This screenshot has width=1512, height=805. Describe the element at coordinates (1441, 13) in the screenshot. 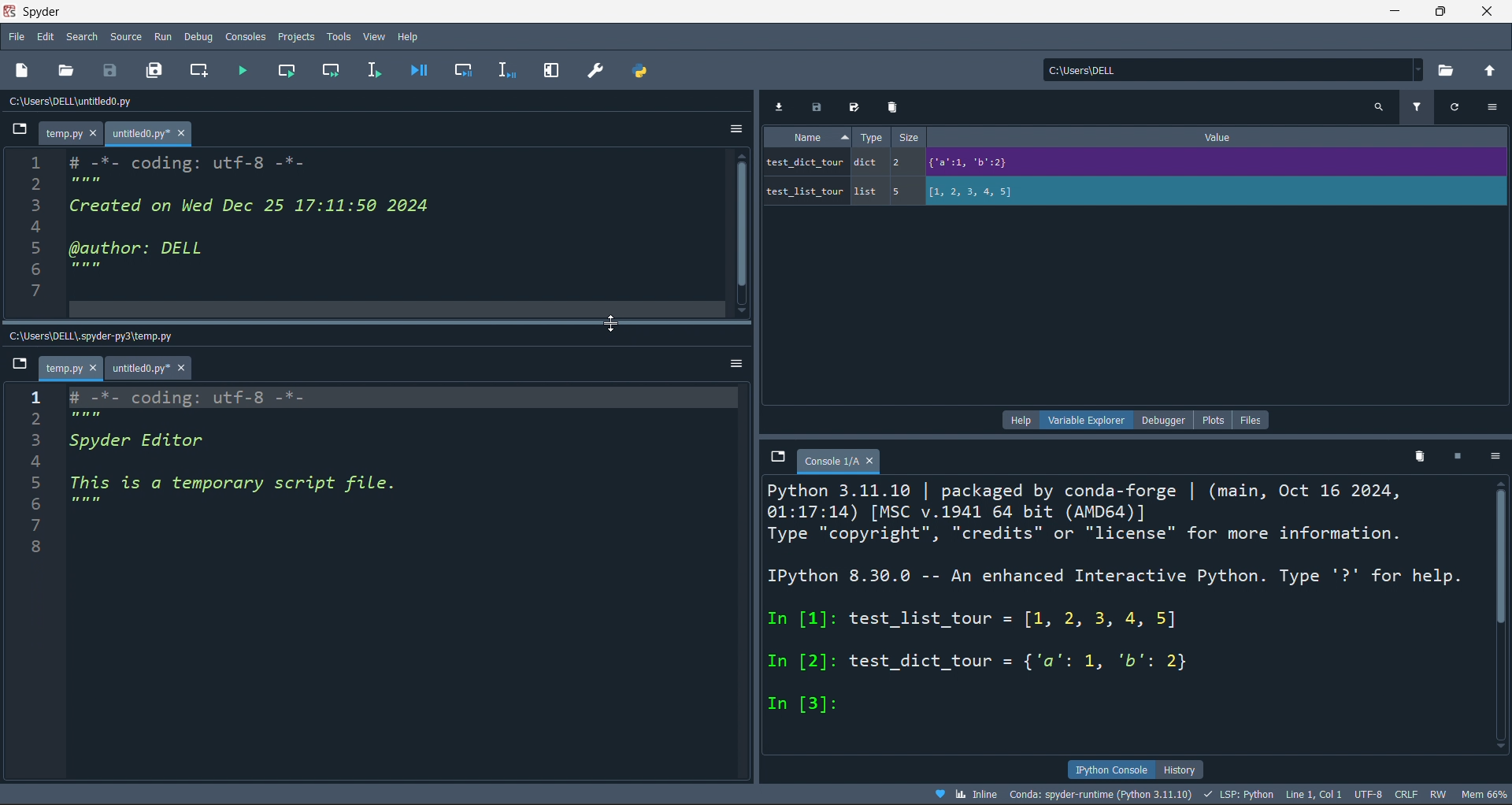

I see `maximize/resize` at that location.